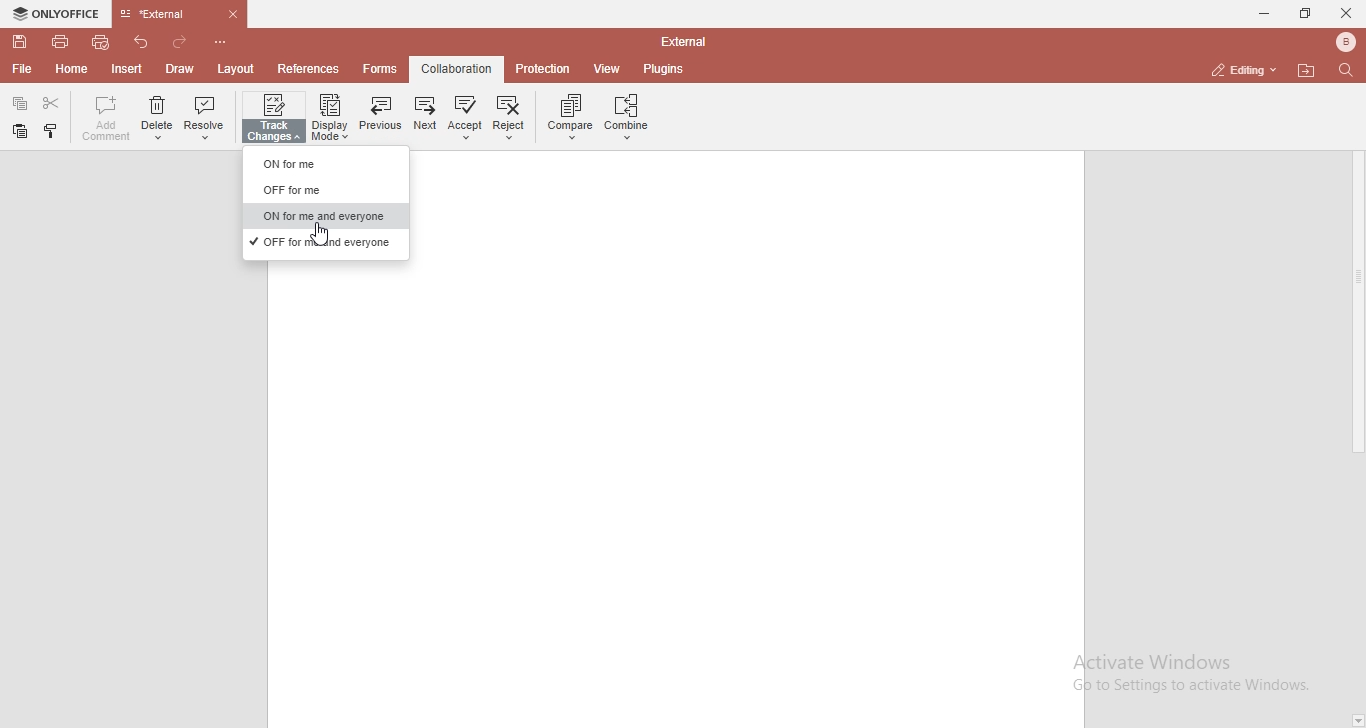 The width and height of the screenshot is (1366, 728). I want to click on page up, so click(1357, 92).